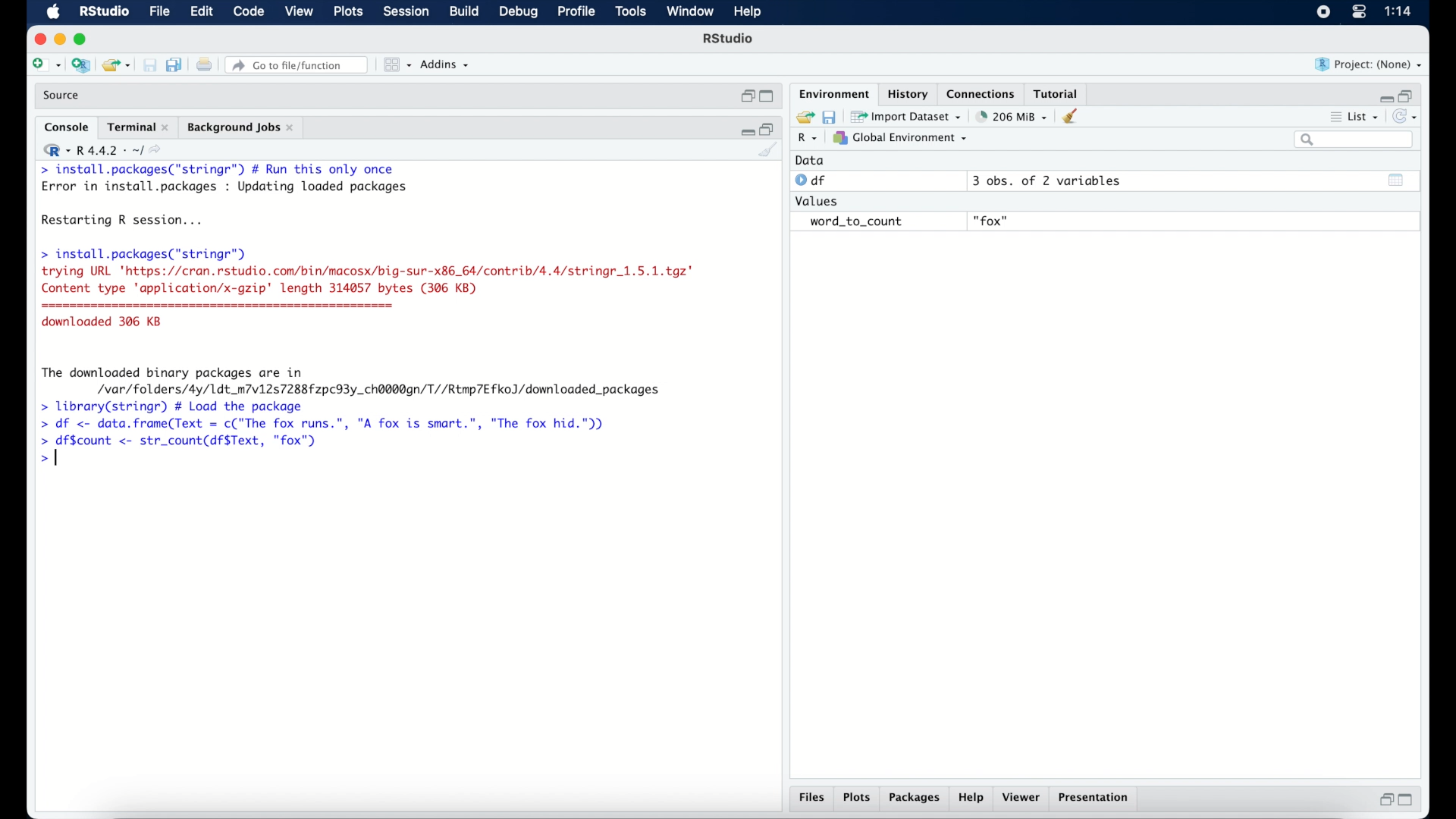 The height and width of the screenshot is (819, 1456). I want to click on values, so click(818, 199).